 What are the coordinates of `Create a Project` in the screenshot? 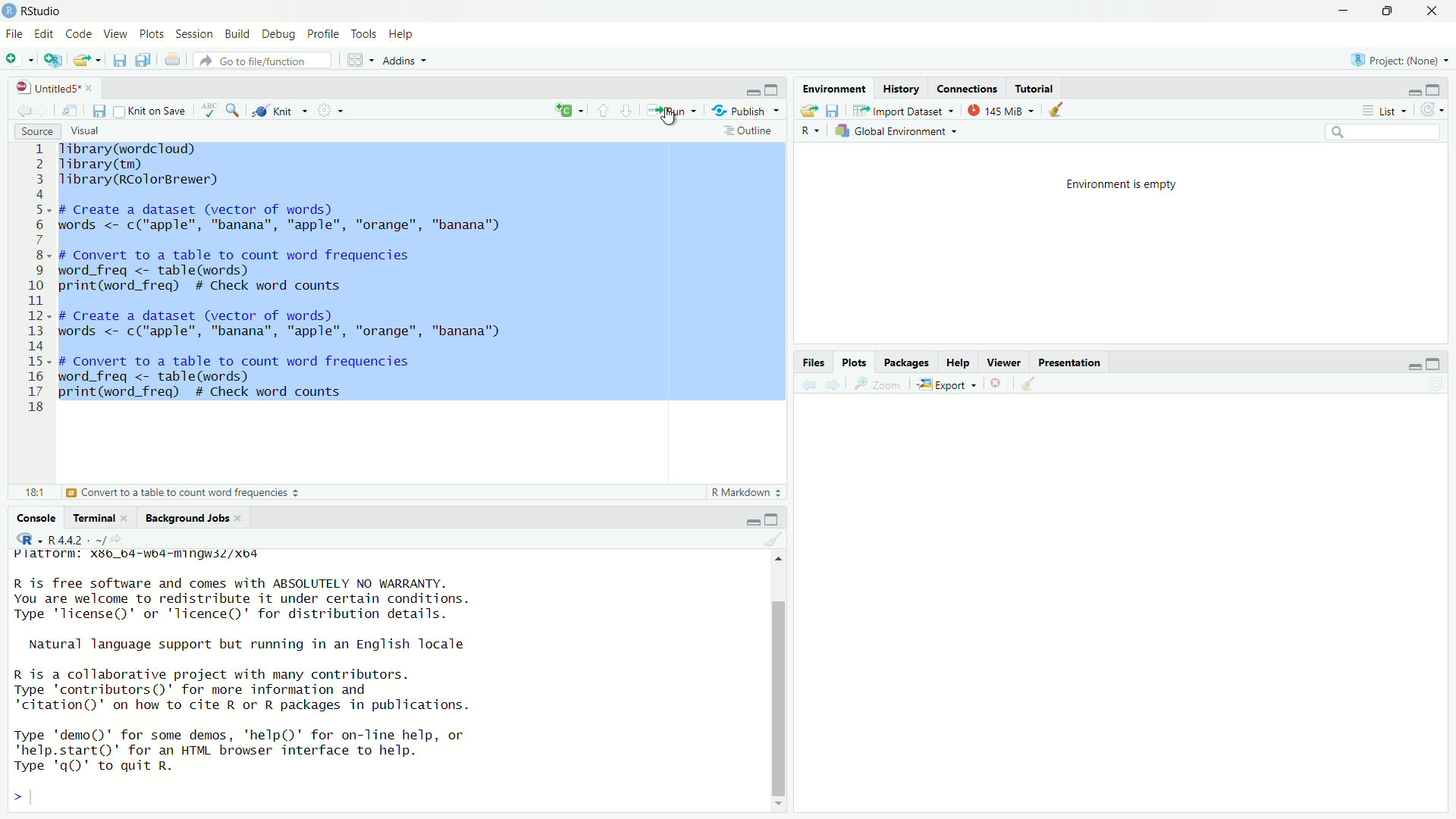 It's located at (55, 61).